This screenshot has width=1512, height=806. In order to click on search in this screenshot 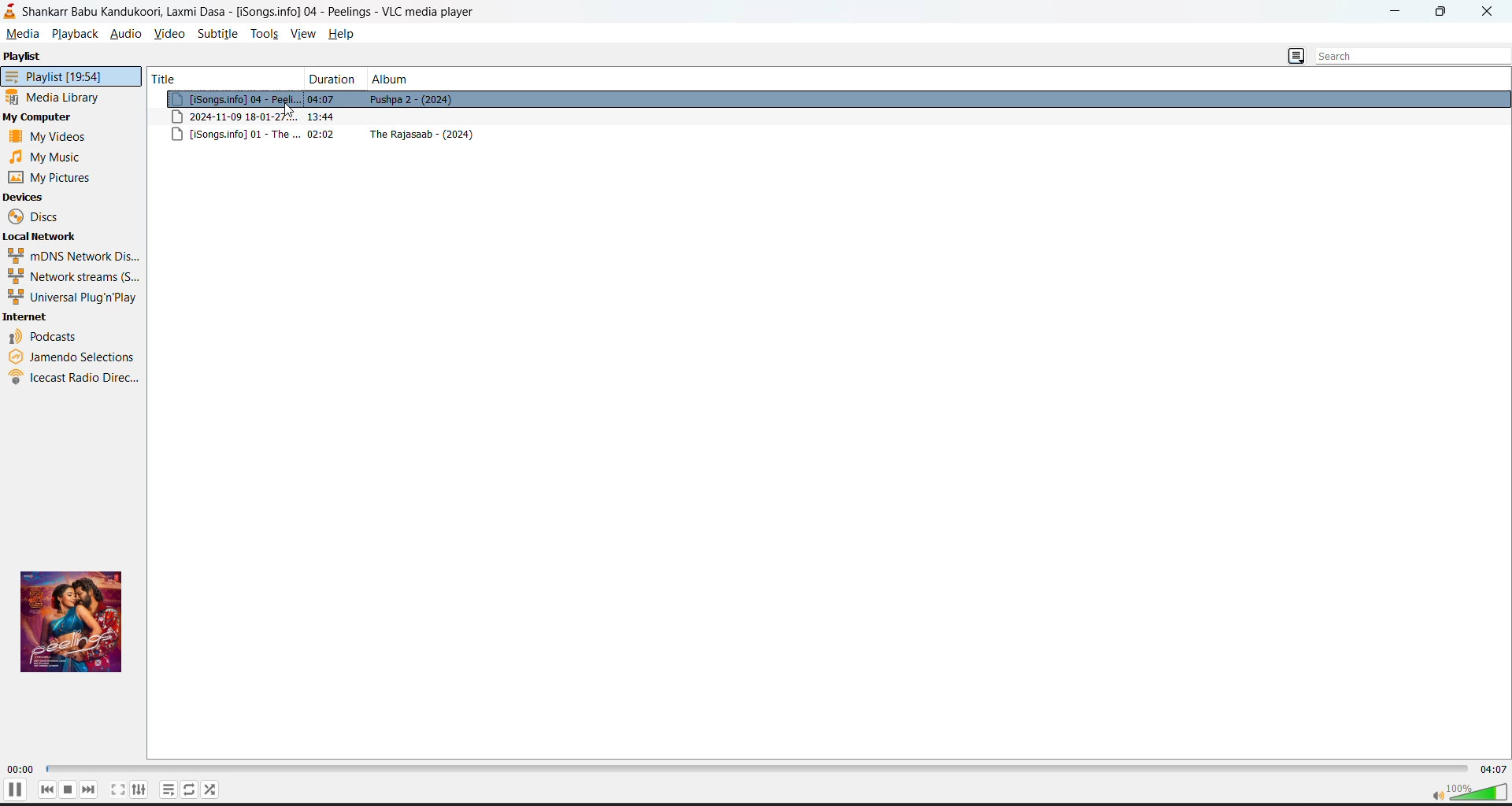, I will do `click(1404, 56)`.